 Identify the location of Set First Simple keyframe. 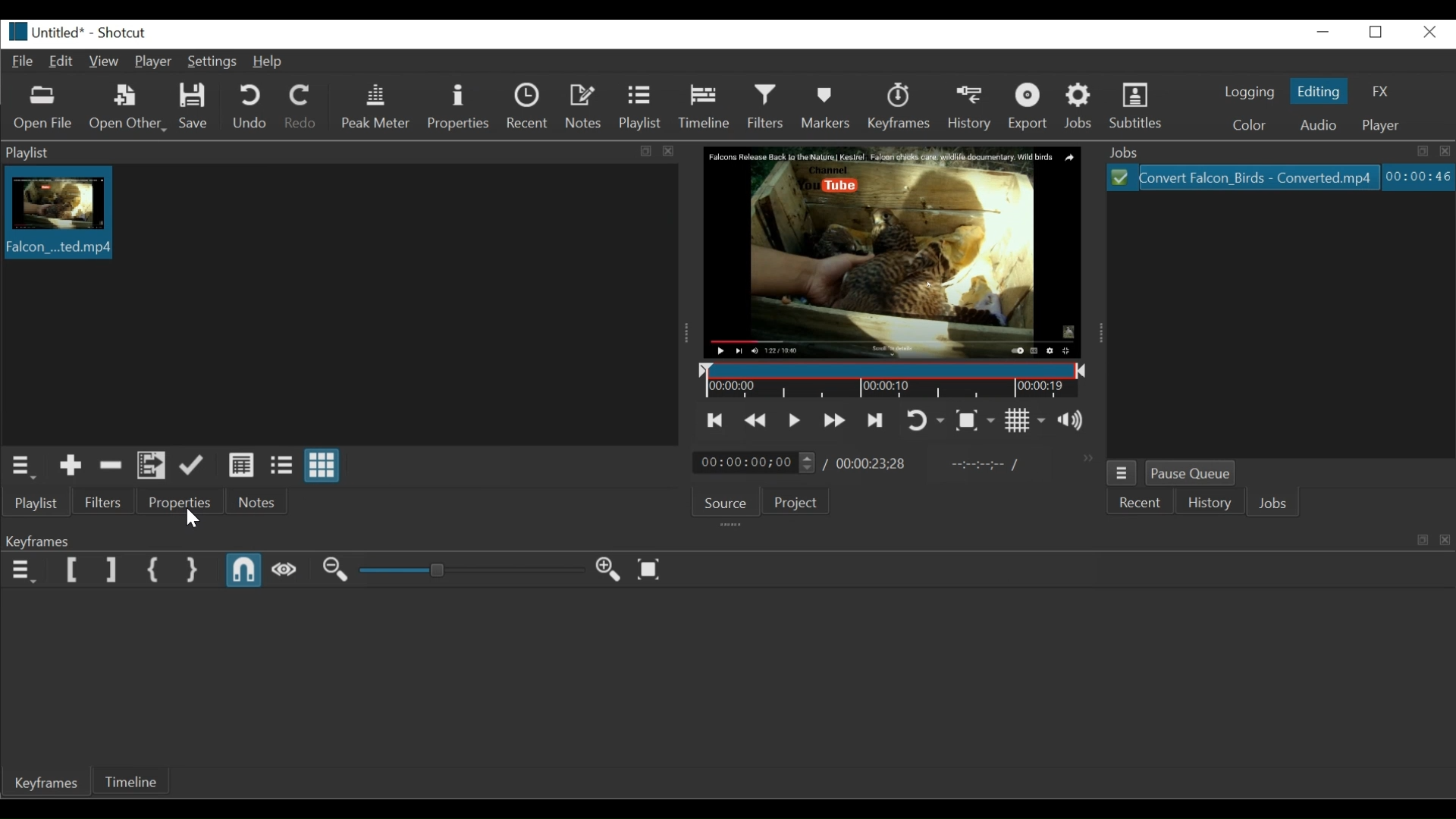
(152, 570).